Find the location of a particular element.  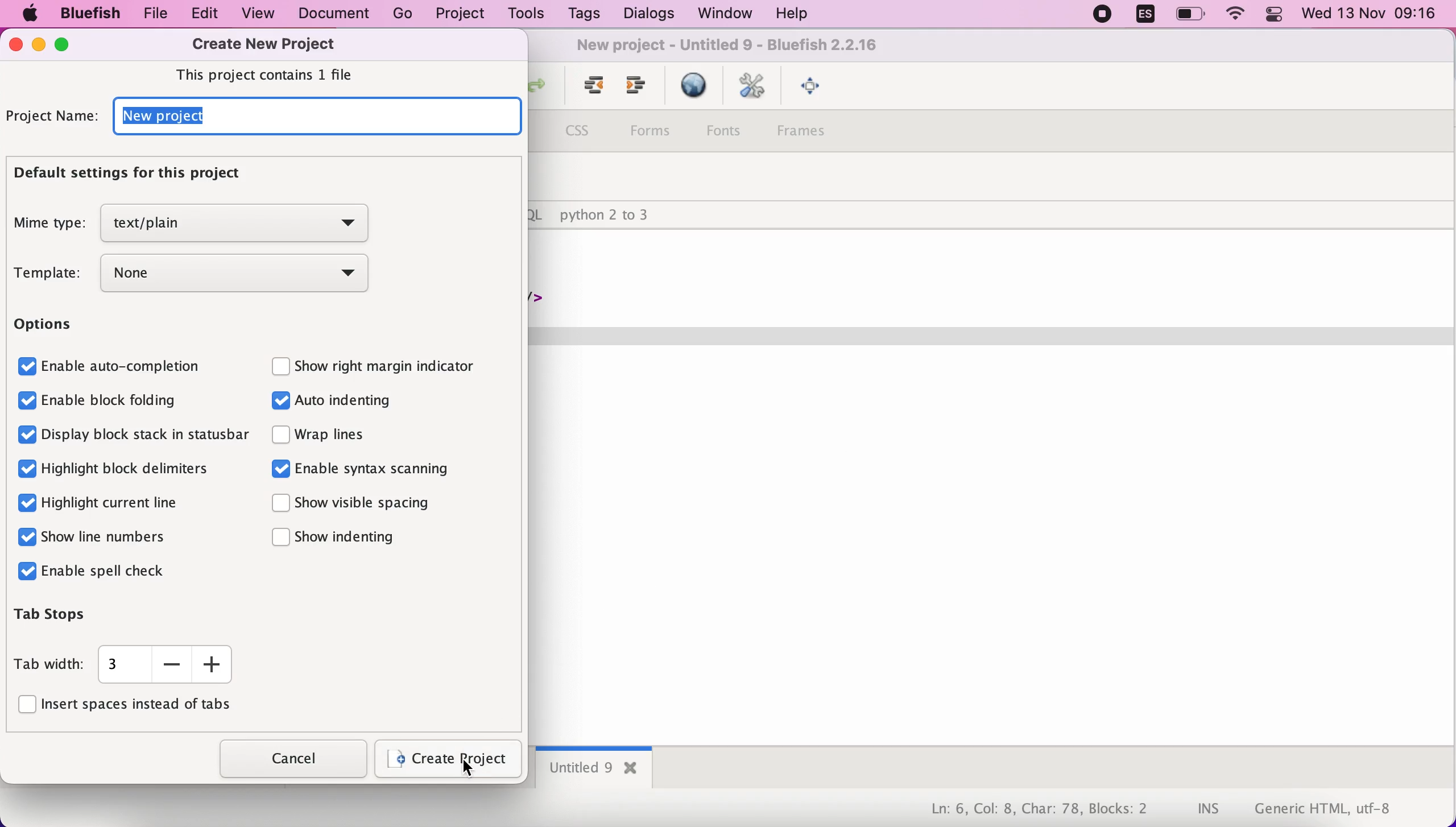

indent is located at coordinates (588, 90).